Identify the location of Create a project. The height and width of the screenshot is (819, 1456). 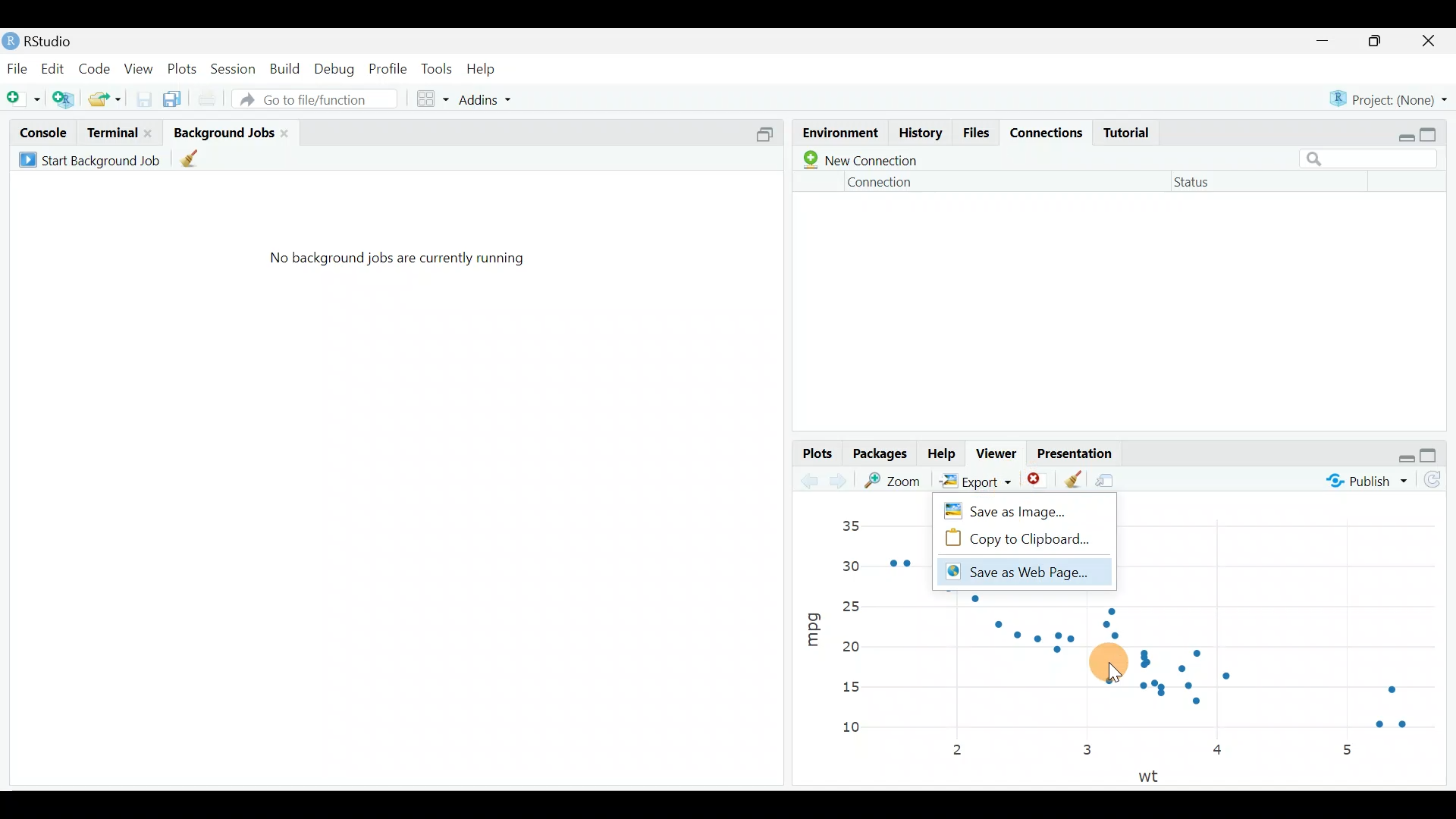
(64, 96).